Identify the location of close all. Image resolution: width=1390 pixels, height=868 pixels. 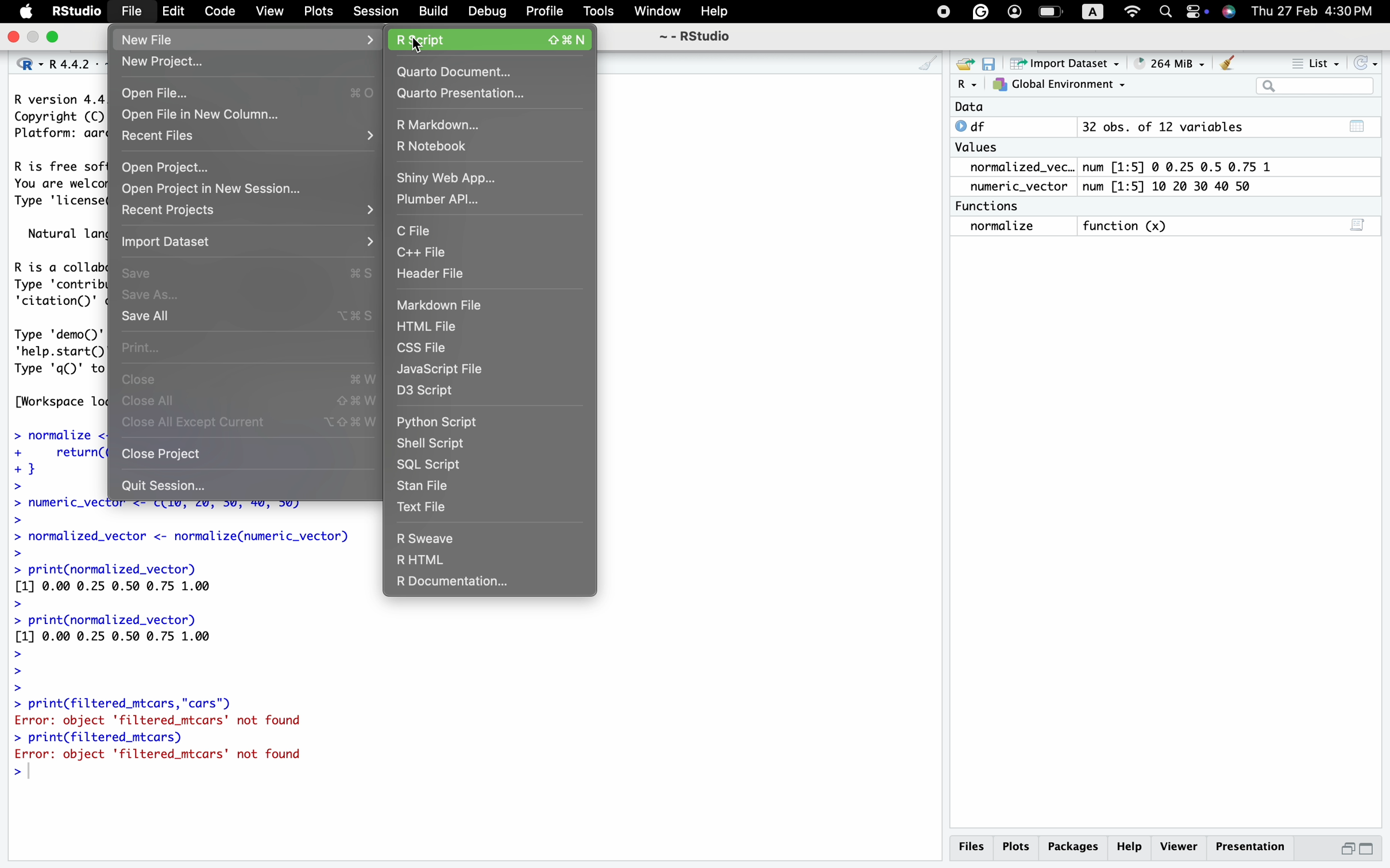
(253, 402).